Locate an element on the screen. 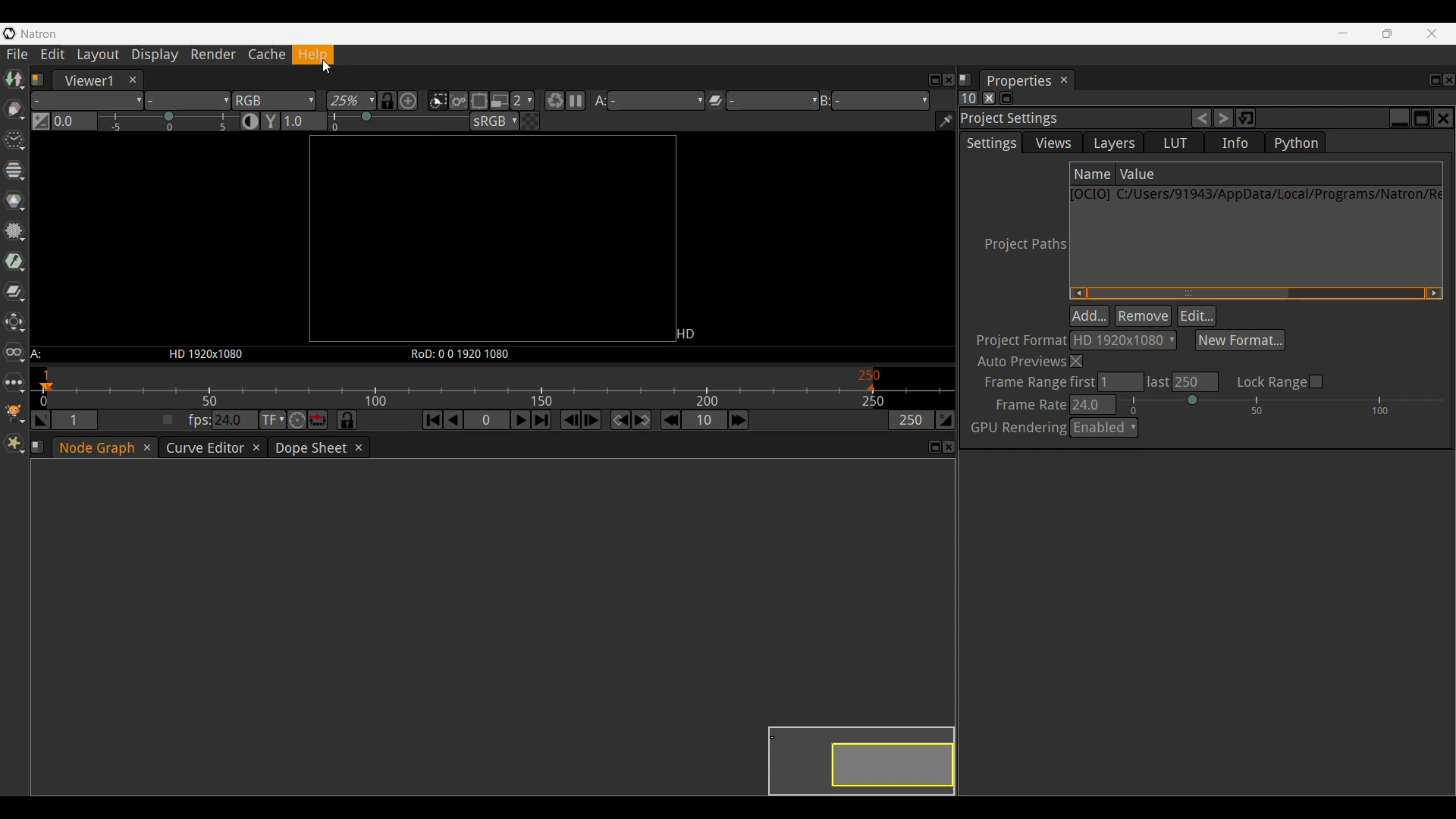 This screenshot has height=819, width=1456. Information about pane 3 is located at coordinates (37, 447).